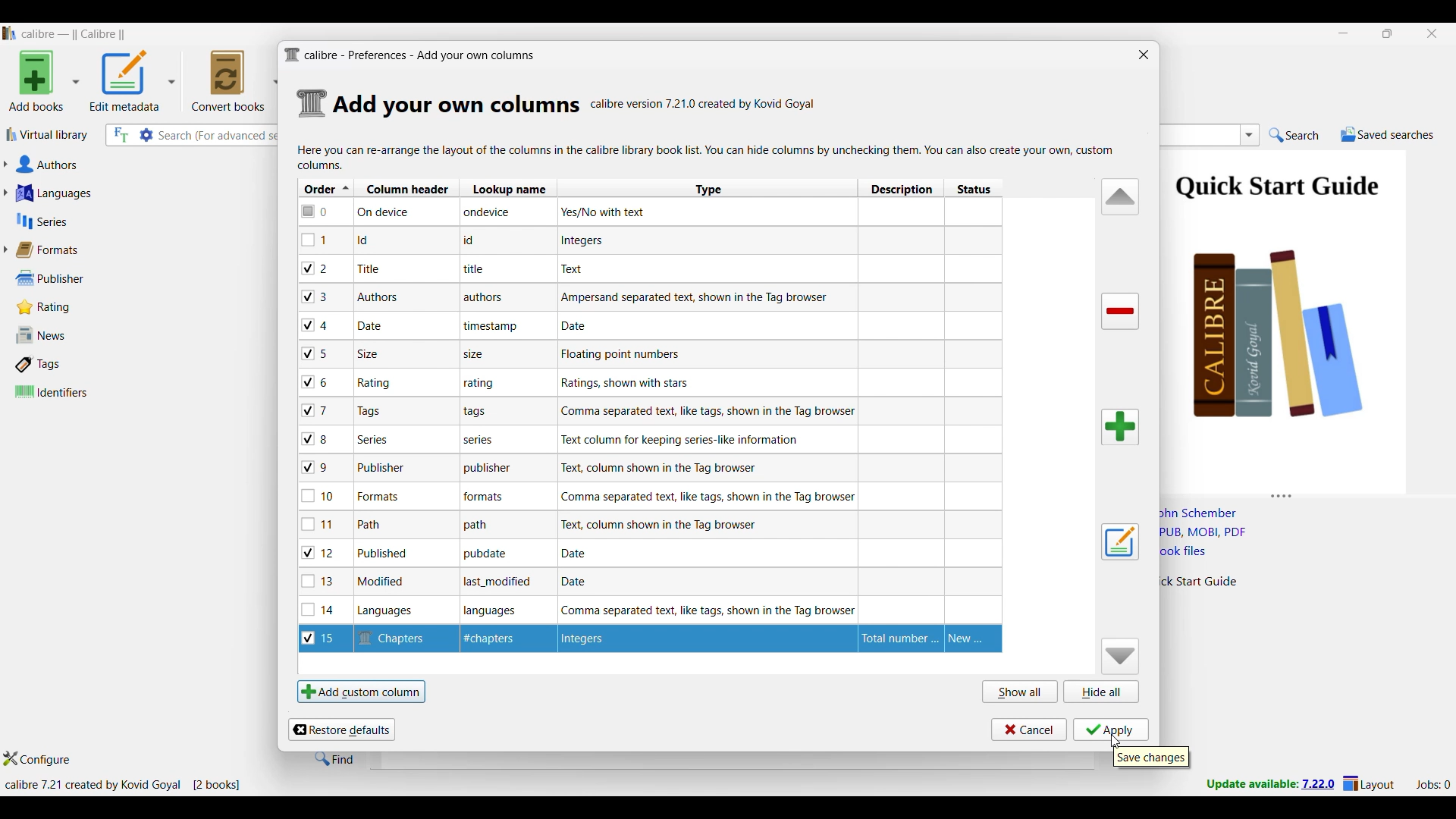 This screenshot has width=1456, height=819. I want to click on Move row up, so click(1121, 196).